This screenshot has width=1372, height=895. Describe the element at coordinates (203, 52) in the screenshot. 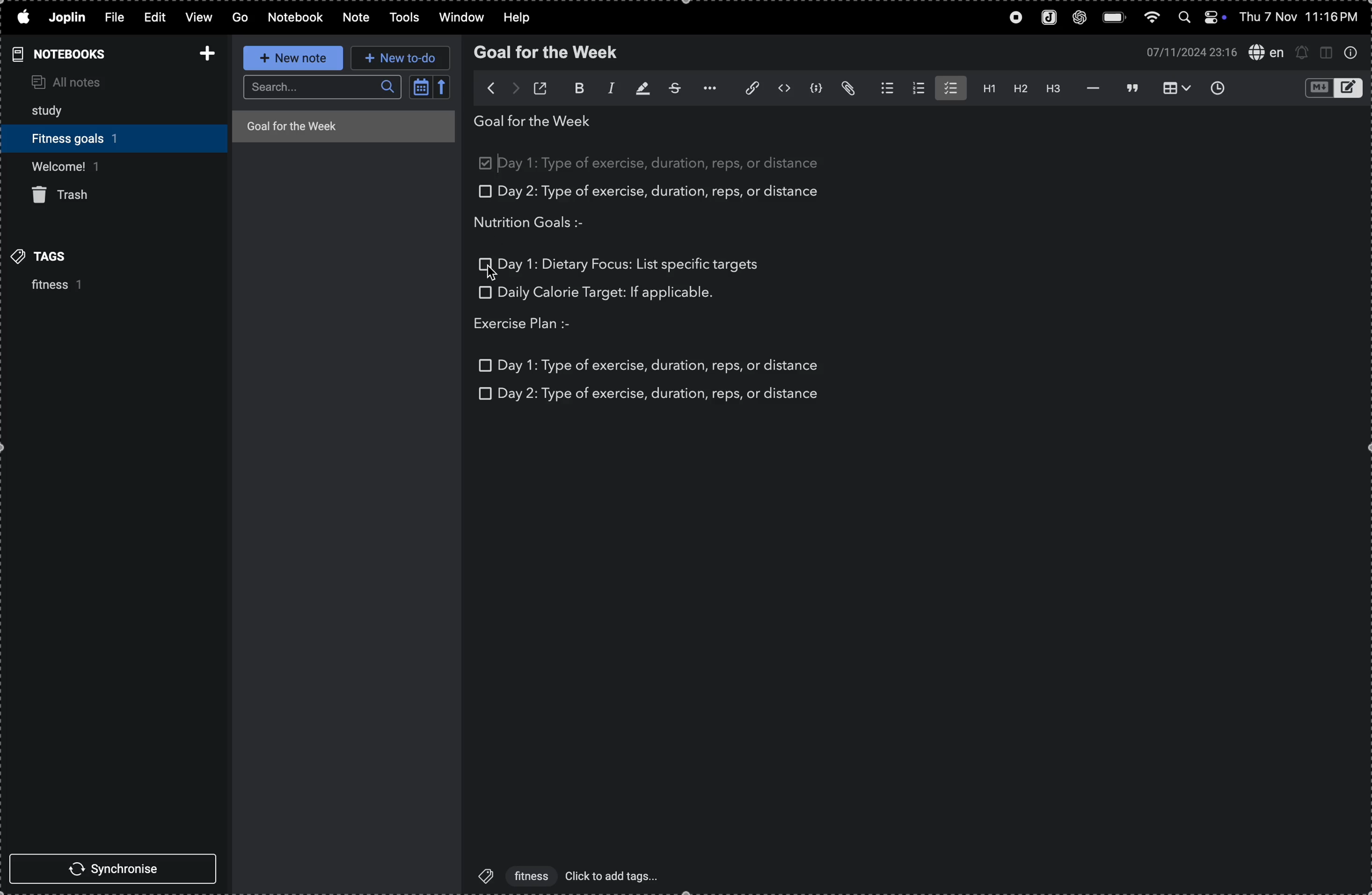

I see `add notebook` at that location.